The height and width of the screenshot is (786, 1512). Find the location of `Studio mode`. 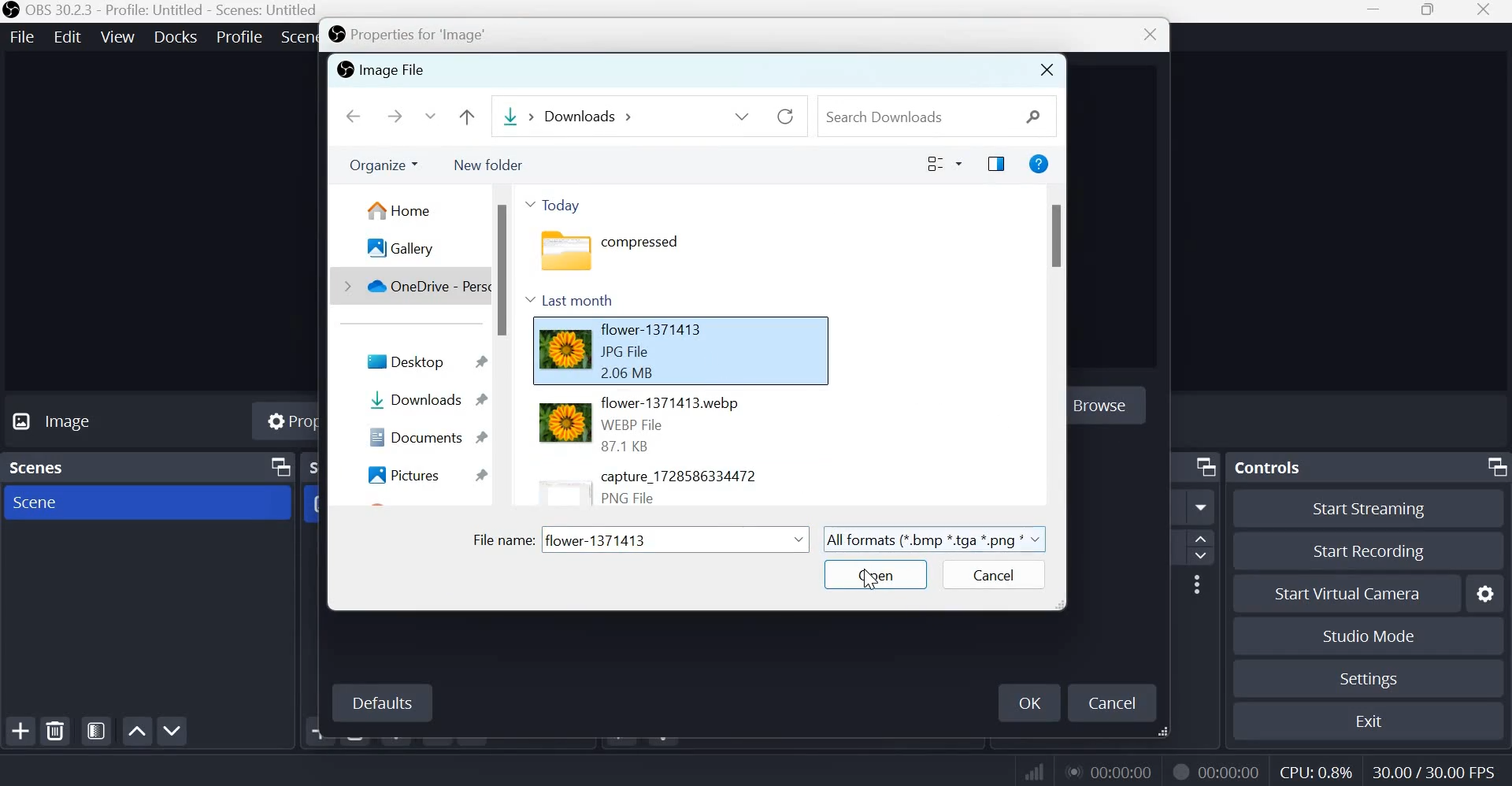

Studio mode is located at coordinates (1369, 635).